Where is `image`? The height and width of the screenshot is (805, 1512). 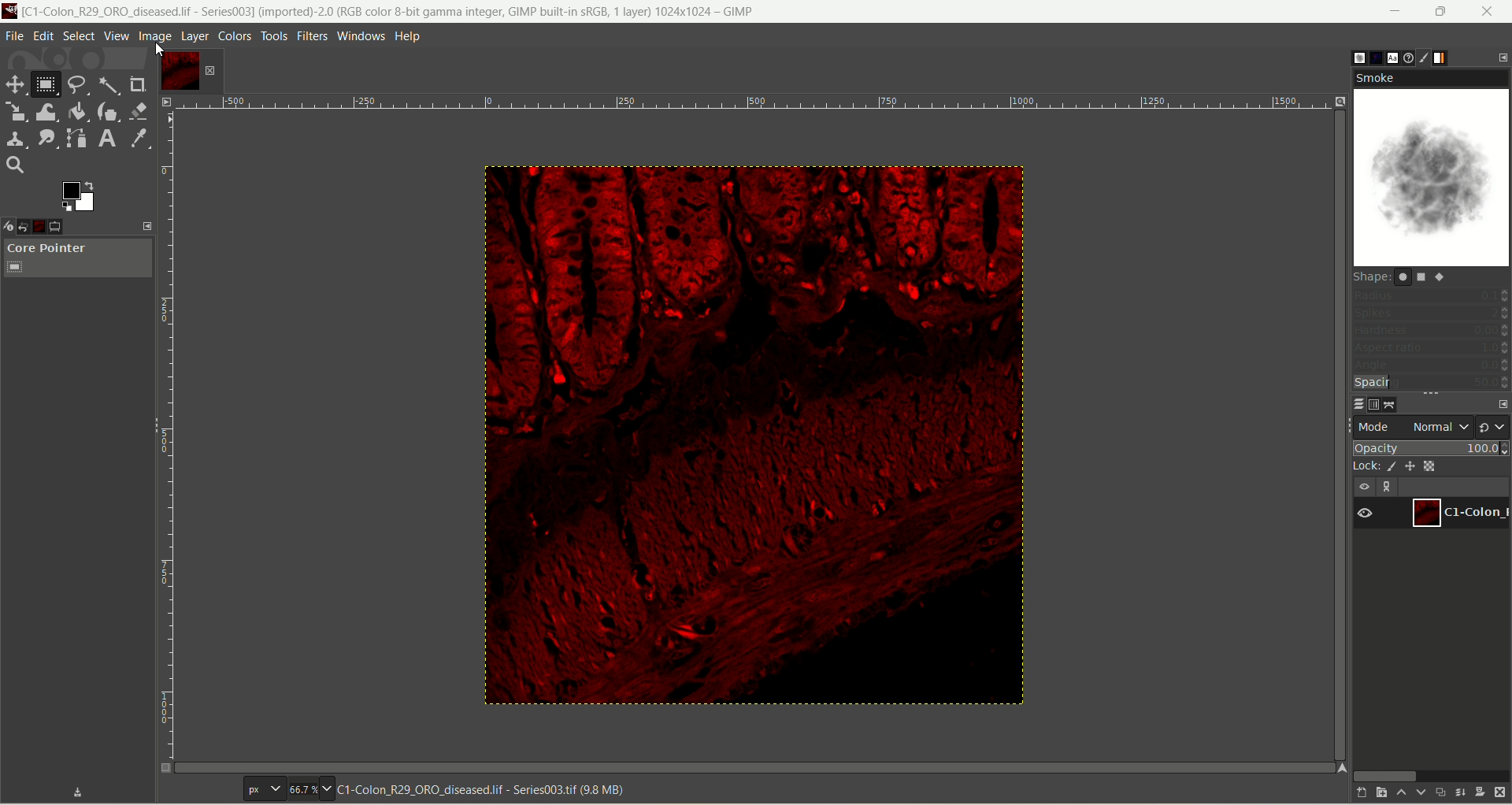
image is located at coordinates (754, 429).